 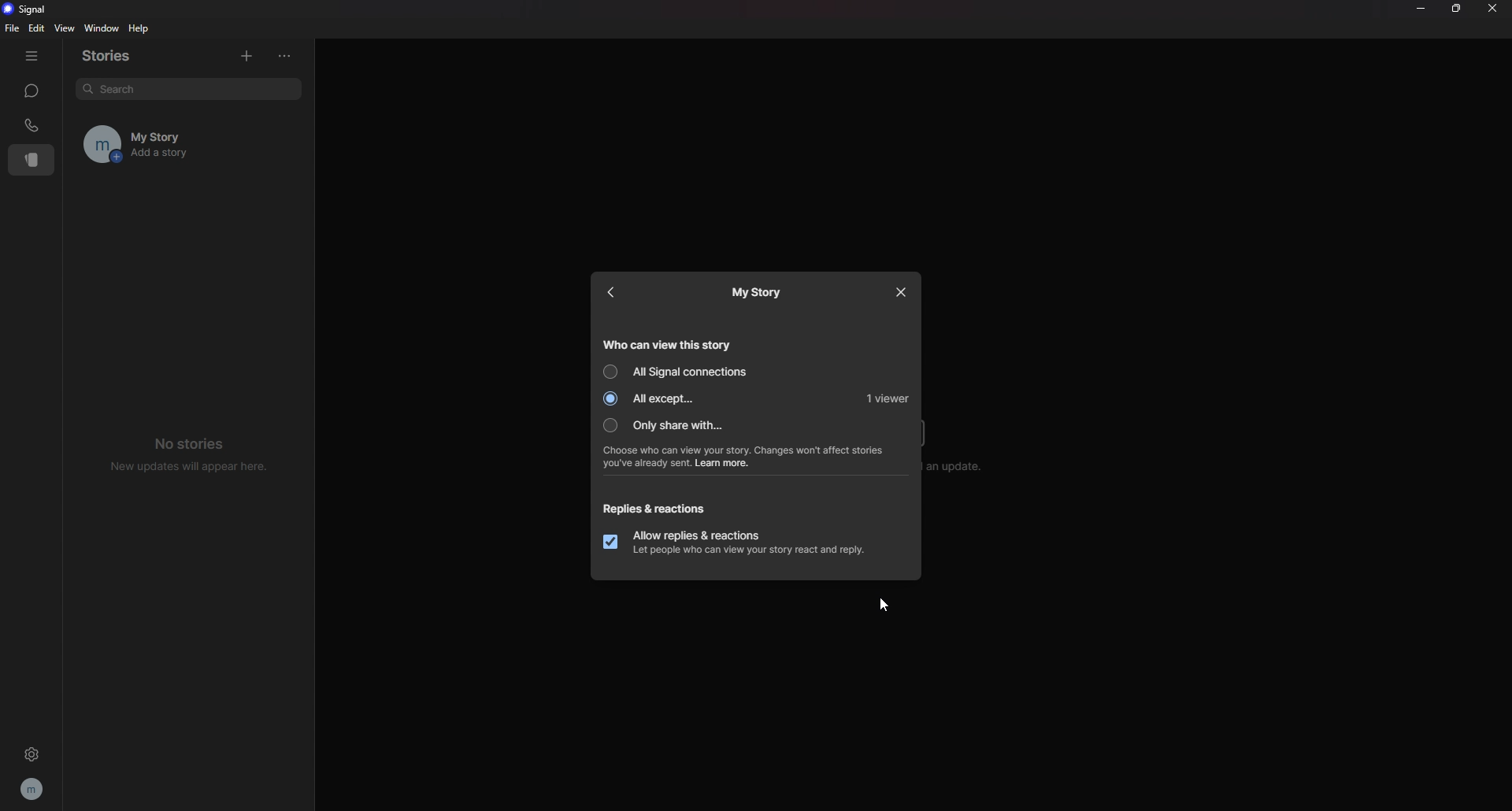 What do you see at coordinates (31, 91) in the screenshot?
I see `chats` at bounding box center [31, 91].